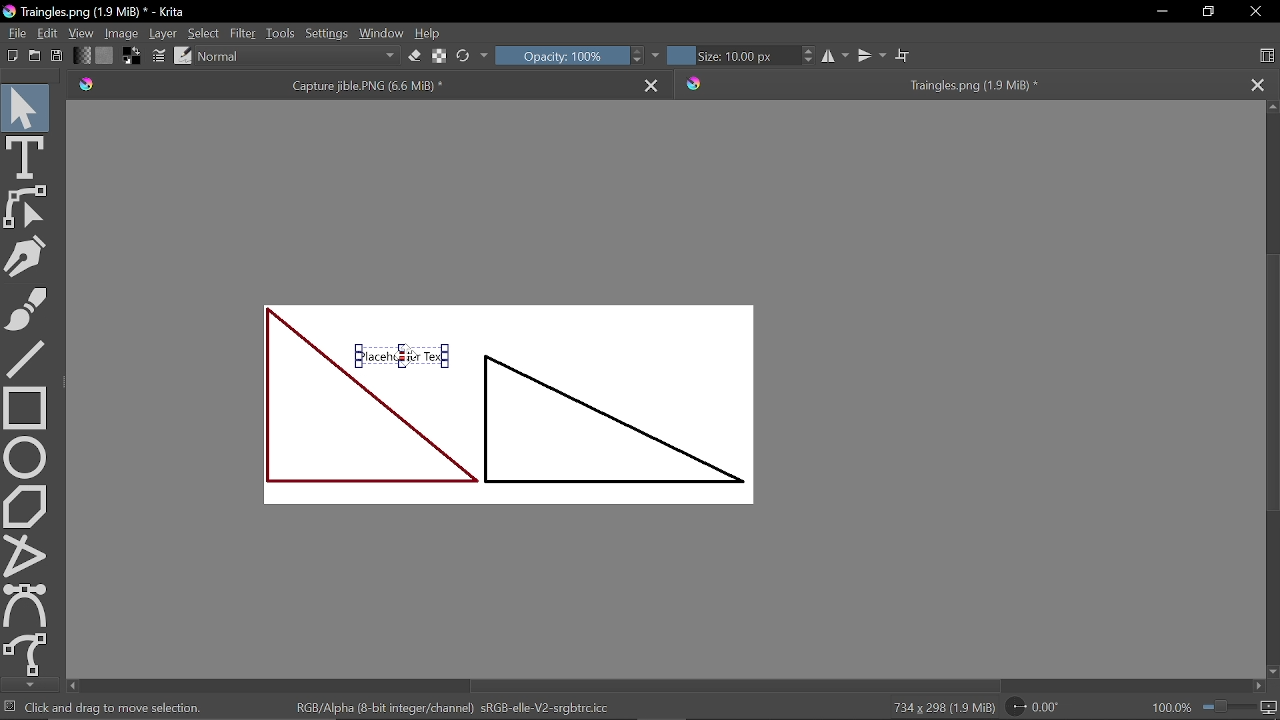  I want to click on Open document, so click(34, 56).